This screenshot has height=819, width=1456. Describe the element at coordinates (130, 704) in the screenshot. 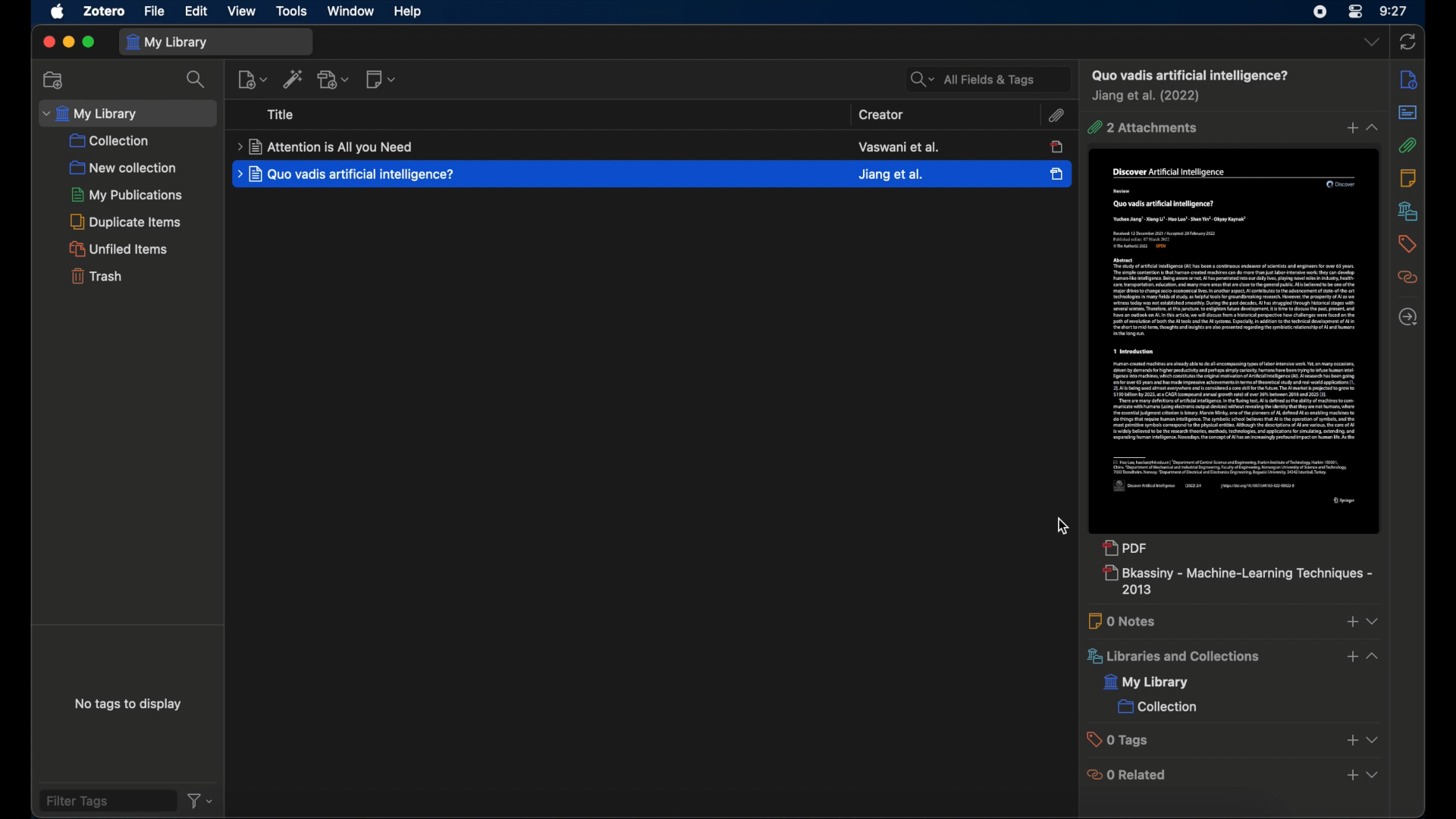

I see `no tags to display` at that location.